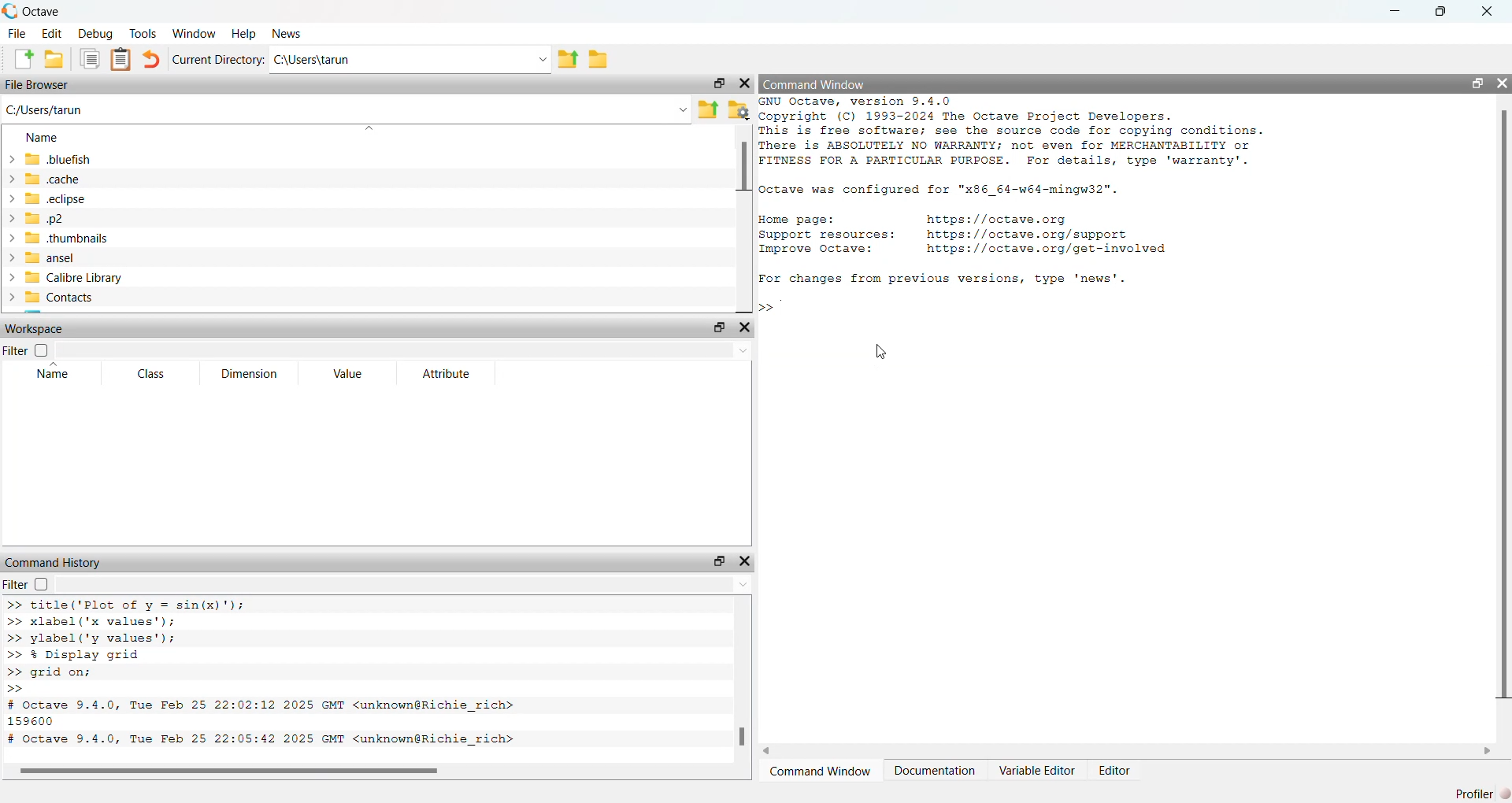 The image size is (1512, 803). Describe the element at coordinates (38, 722) in the screenshot. I see `159600` at that location.